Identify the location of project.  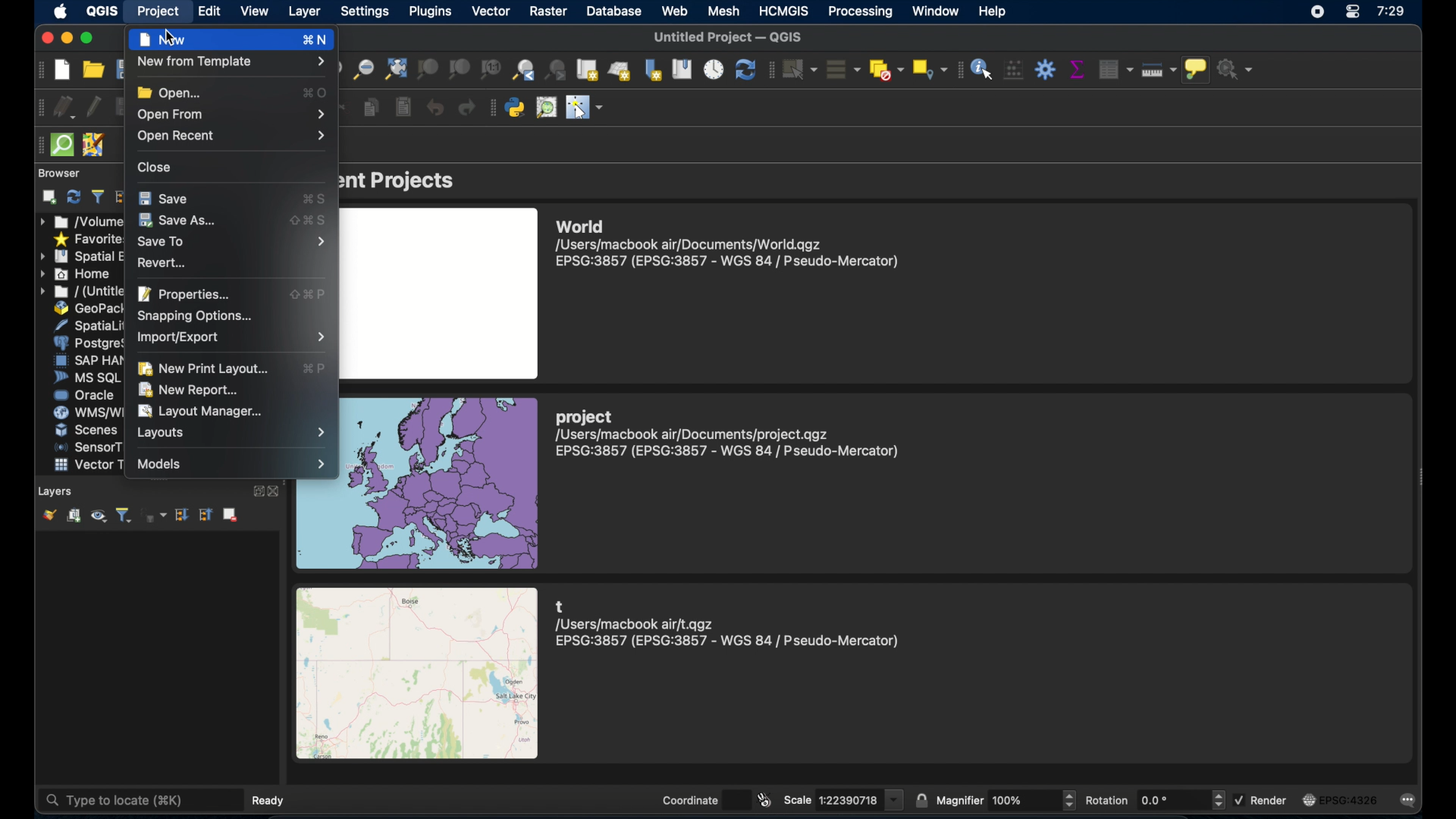
(161, 12).